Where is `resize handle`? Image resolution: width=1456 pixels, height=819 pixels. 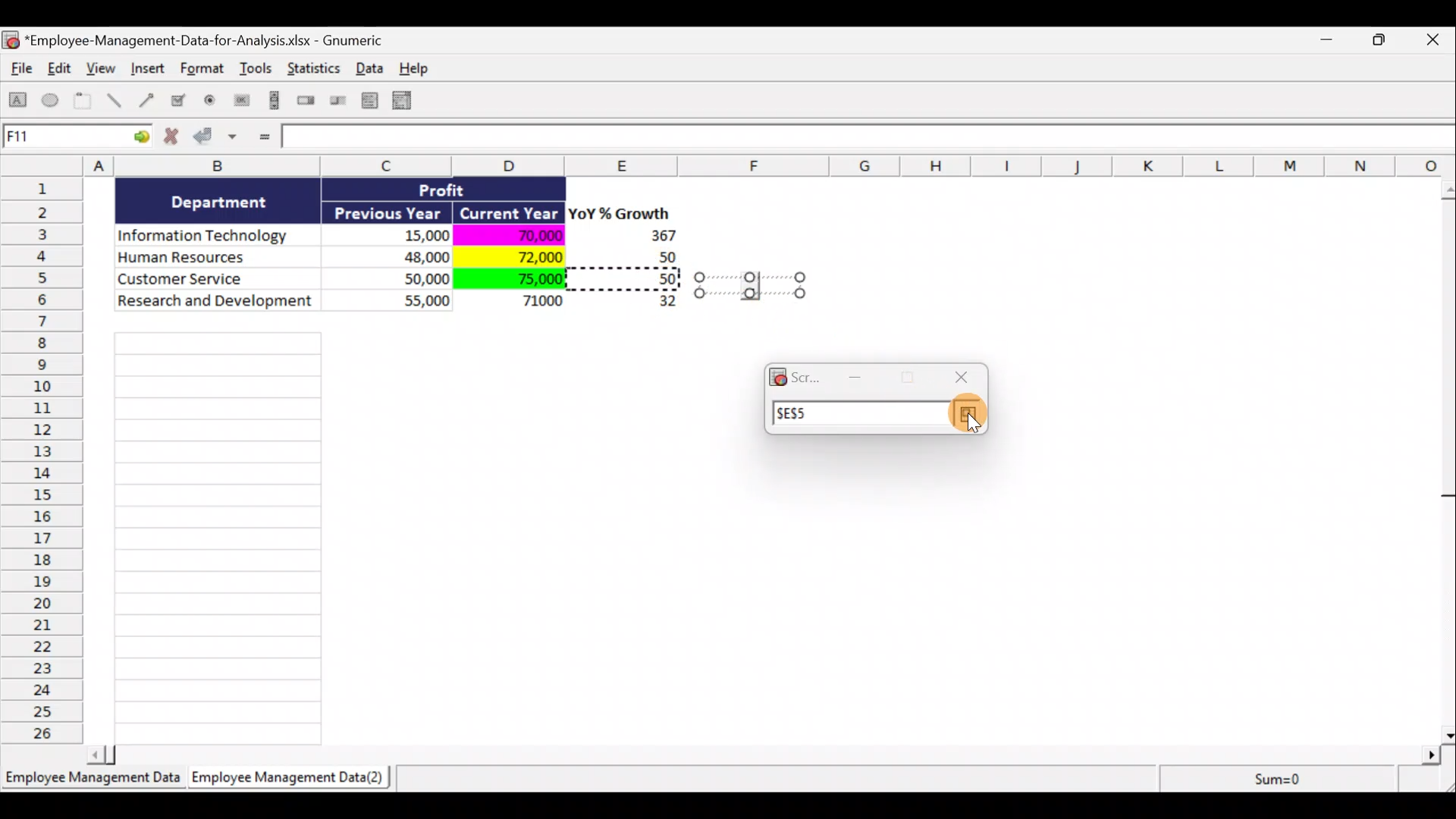 resize handle is located at coordinates (750, 284).